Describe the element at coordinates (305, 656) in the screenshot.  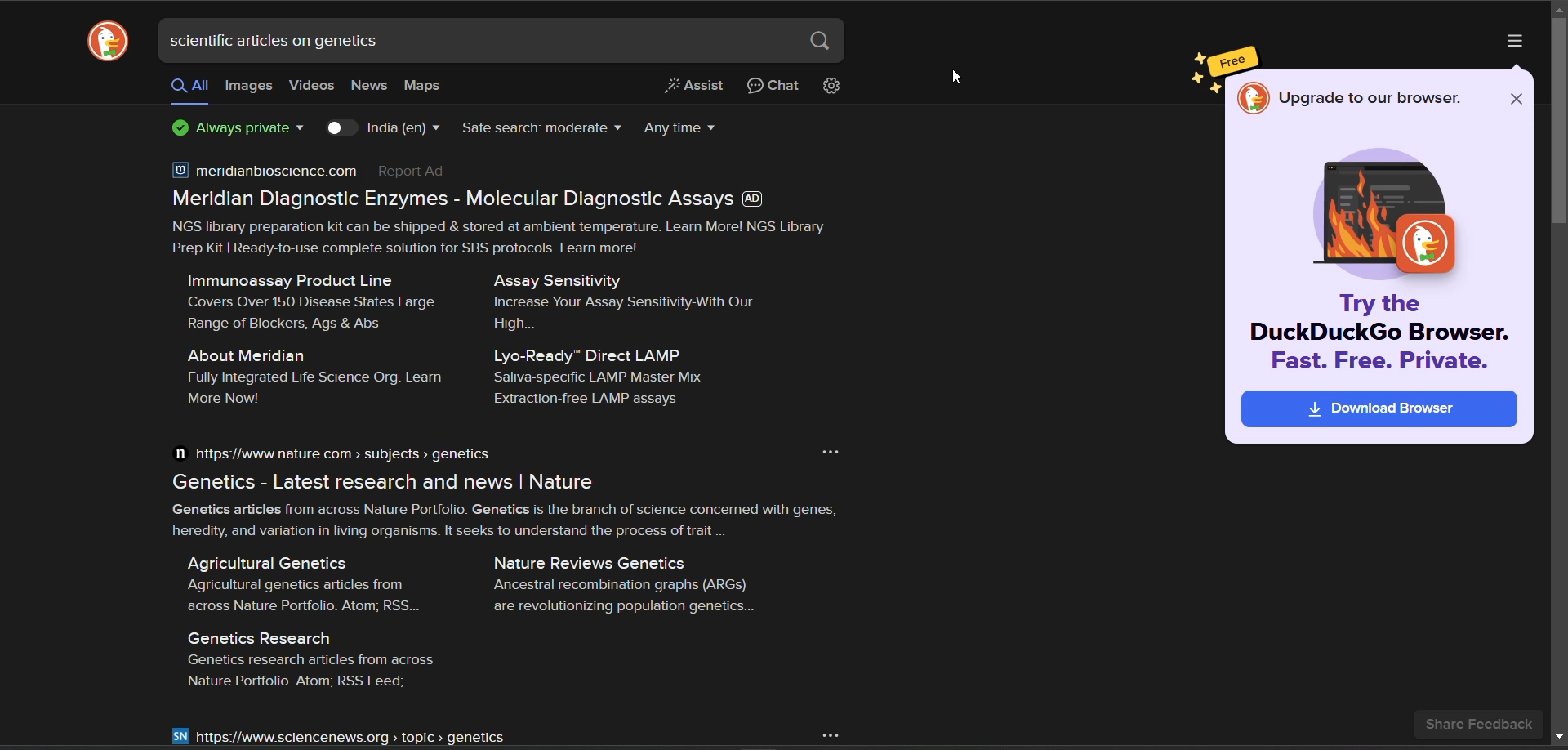
I see `Genetics Research
Genetics research articles from across
Nature Portfolio. Atom; RSS Feed...` at that location.